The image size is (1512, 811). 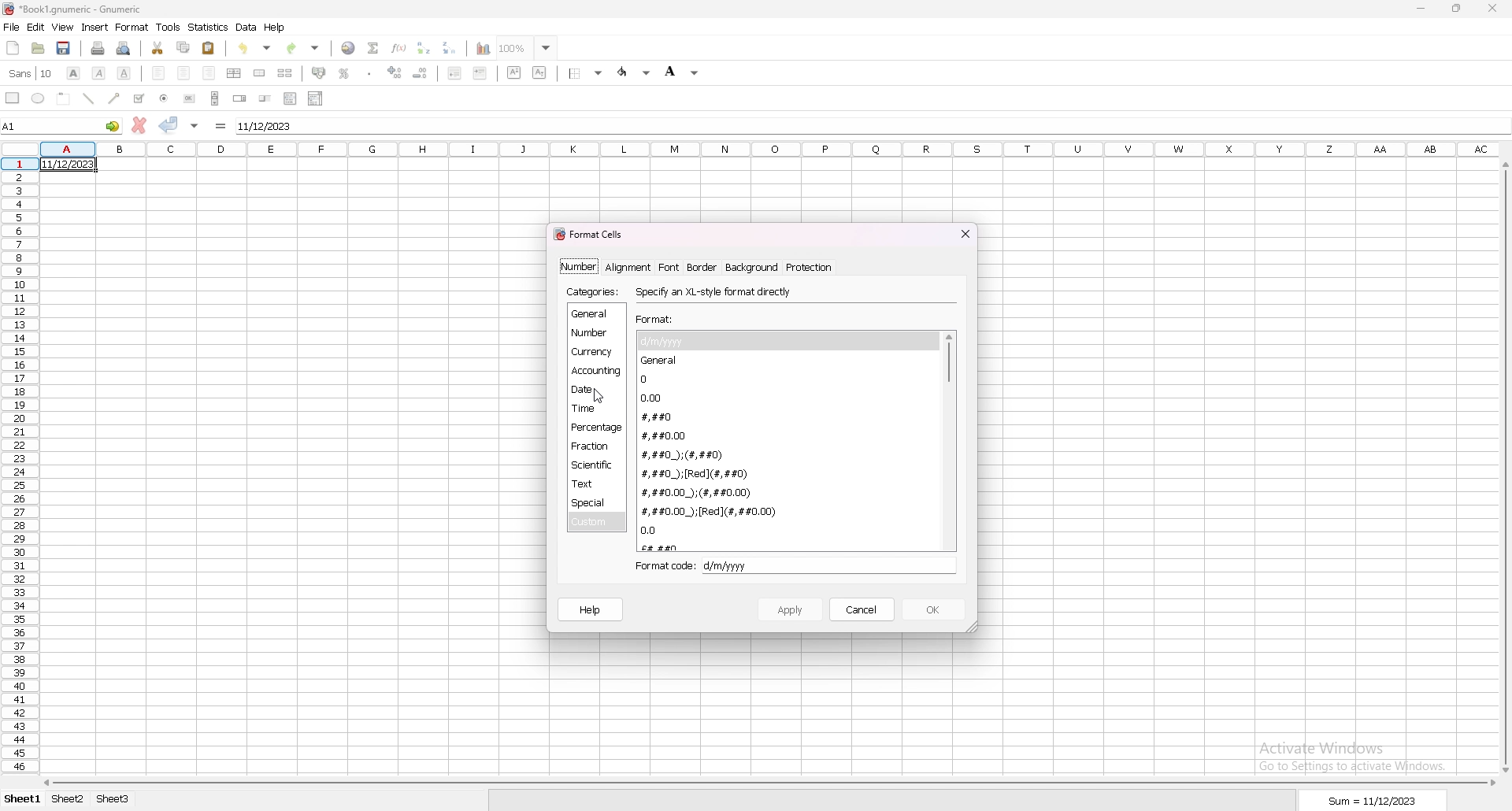 What do you see at coordinates (98, 48) in the screenshot?
I see `print` at bounding box center [98, 48].